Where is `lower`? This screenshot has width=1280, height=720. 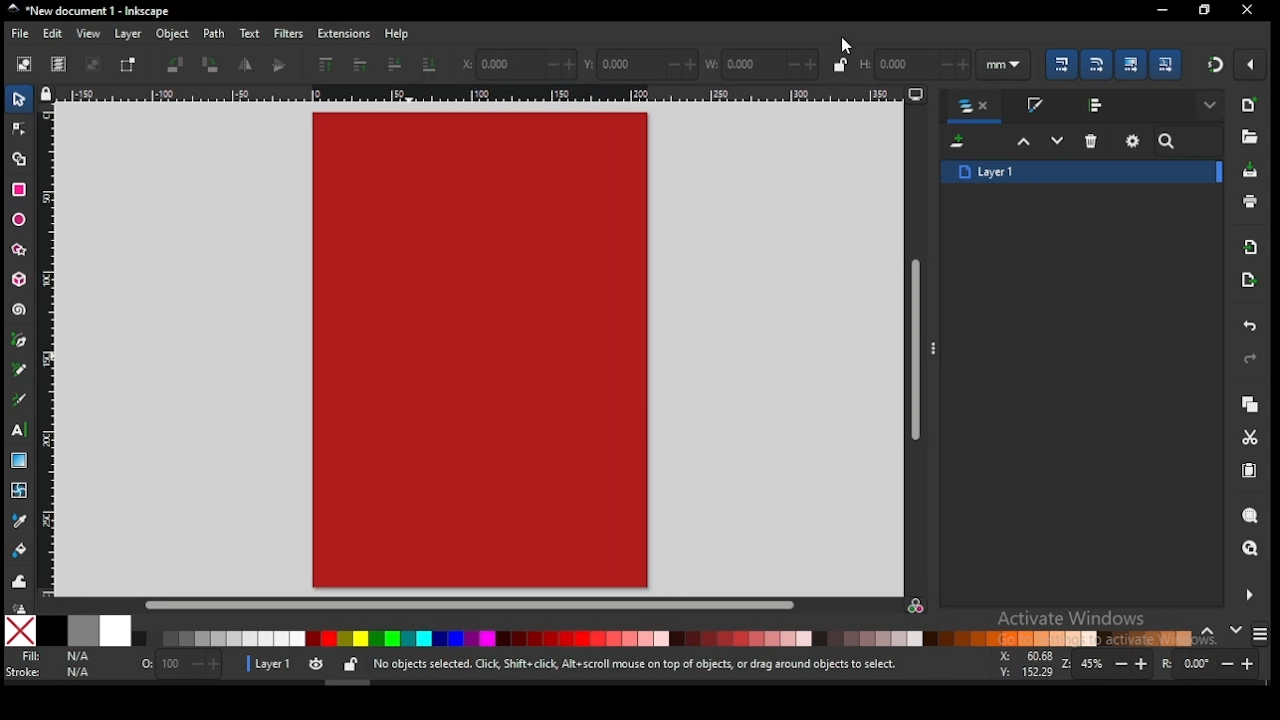 lower is located at coordinates (395, 65).